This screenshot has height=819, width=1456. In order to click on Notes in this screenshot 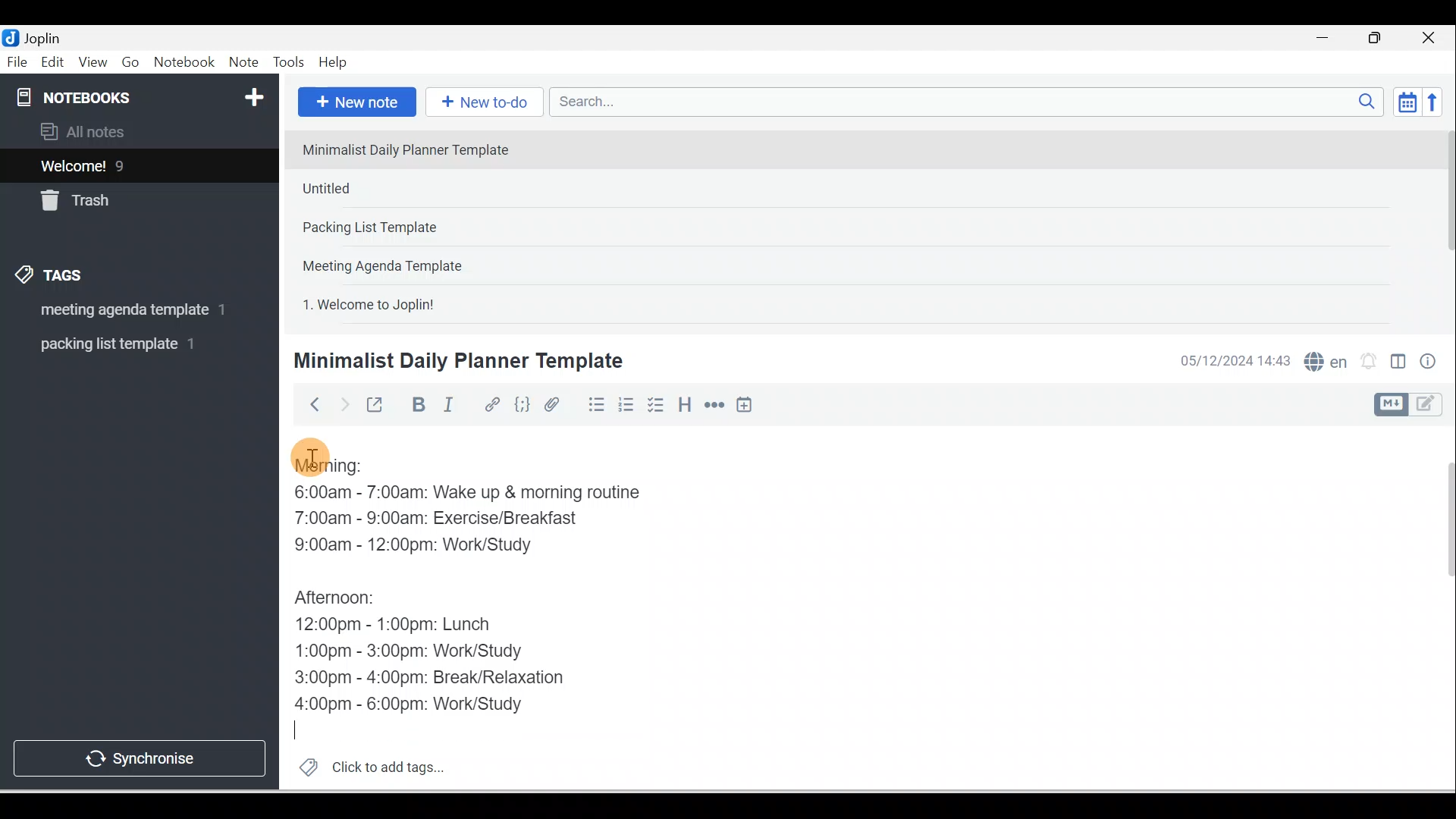, I will do `click(128, 162)`.